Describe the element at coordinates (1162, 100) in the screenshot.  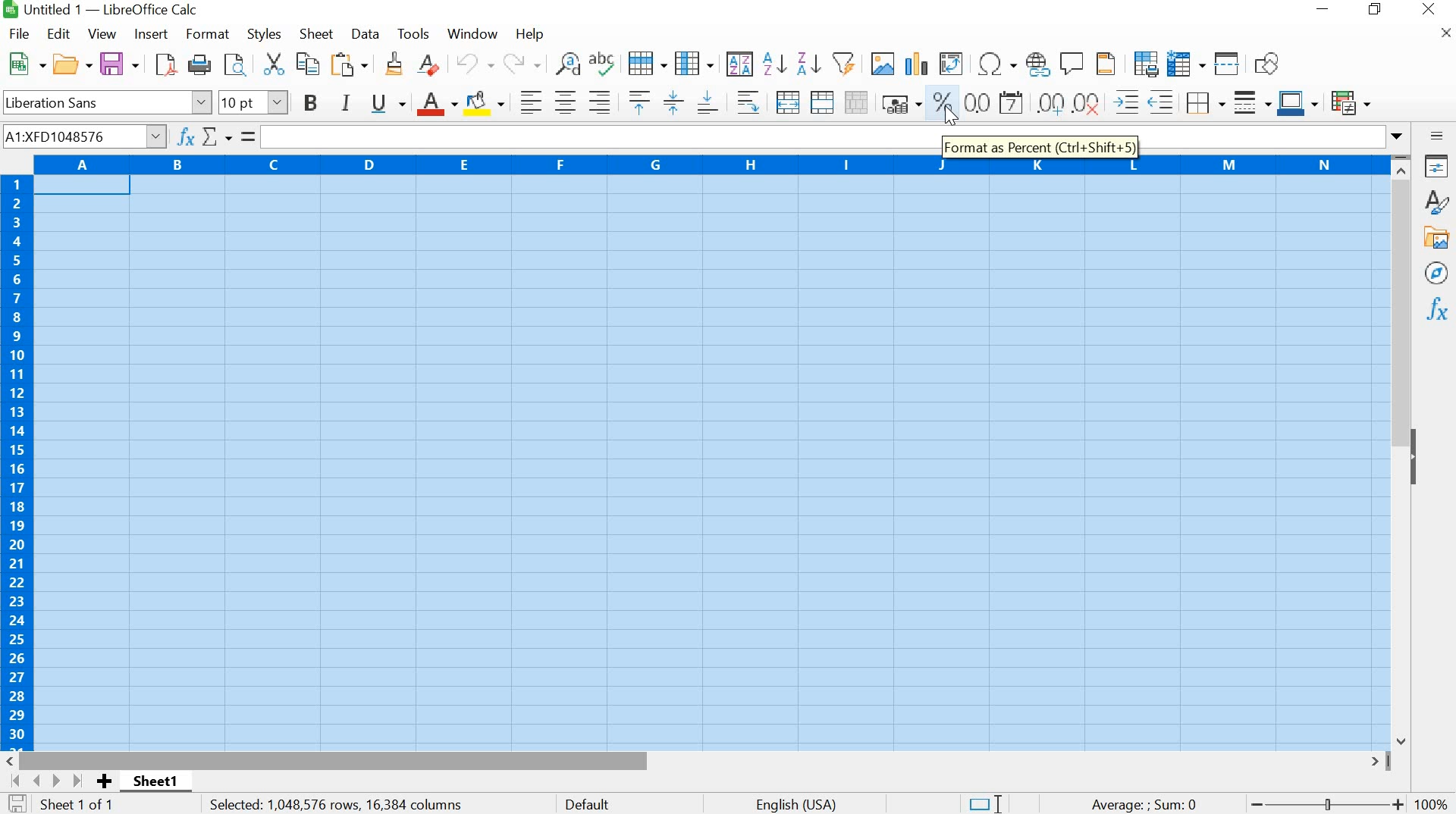
I see `Decrease Indent` at that location.